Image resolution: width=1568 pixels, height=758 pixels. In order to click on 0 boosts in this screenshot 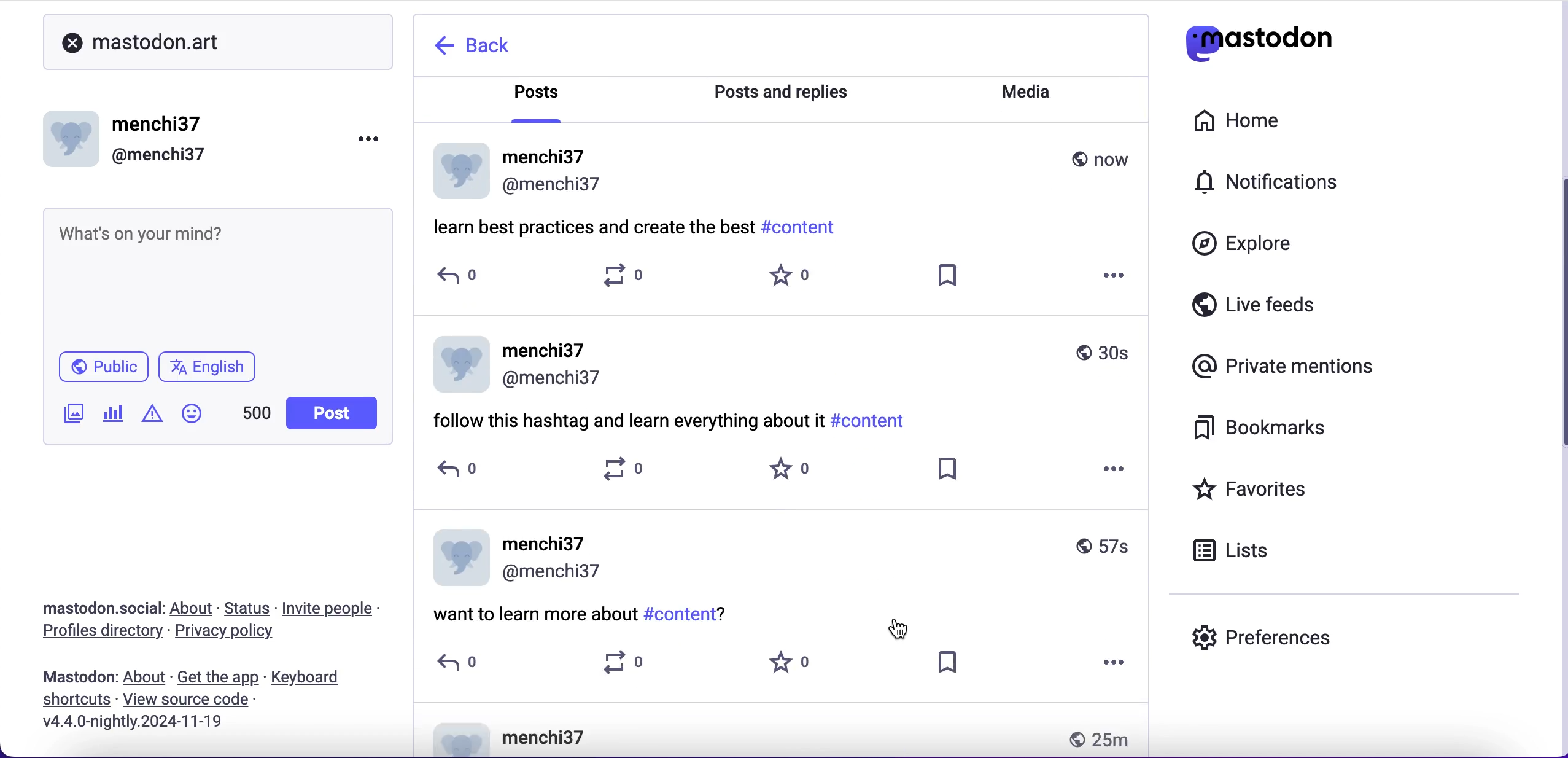, I will do `click(623, 278)`.